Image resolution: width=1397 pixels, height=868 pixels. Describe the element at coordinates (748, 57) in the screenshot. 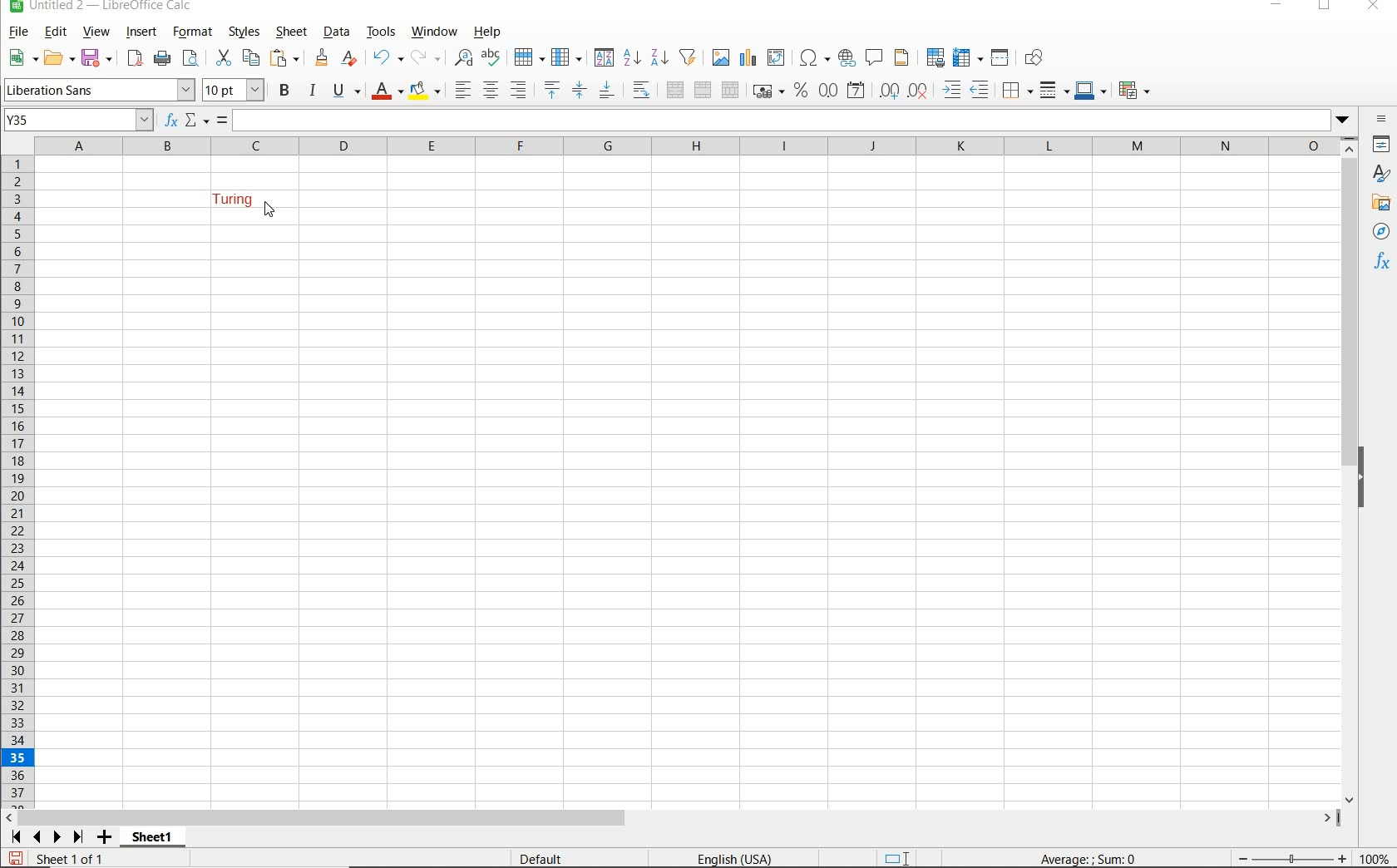

I see `INSERT CHAT` at that location.